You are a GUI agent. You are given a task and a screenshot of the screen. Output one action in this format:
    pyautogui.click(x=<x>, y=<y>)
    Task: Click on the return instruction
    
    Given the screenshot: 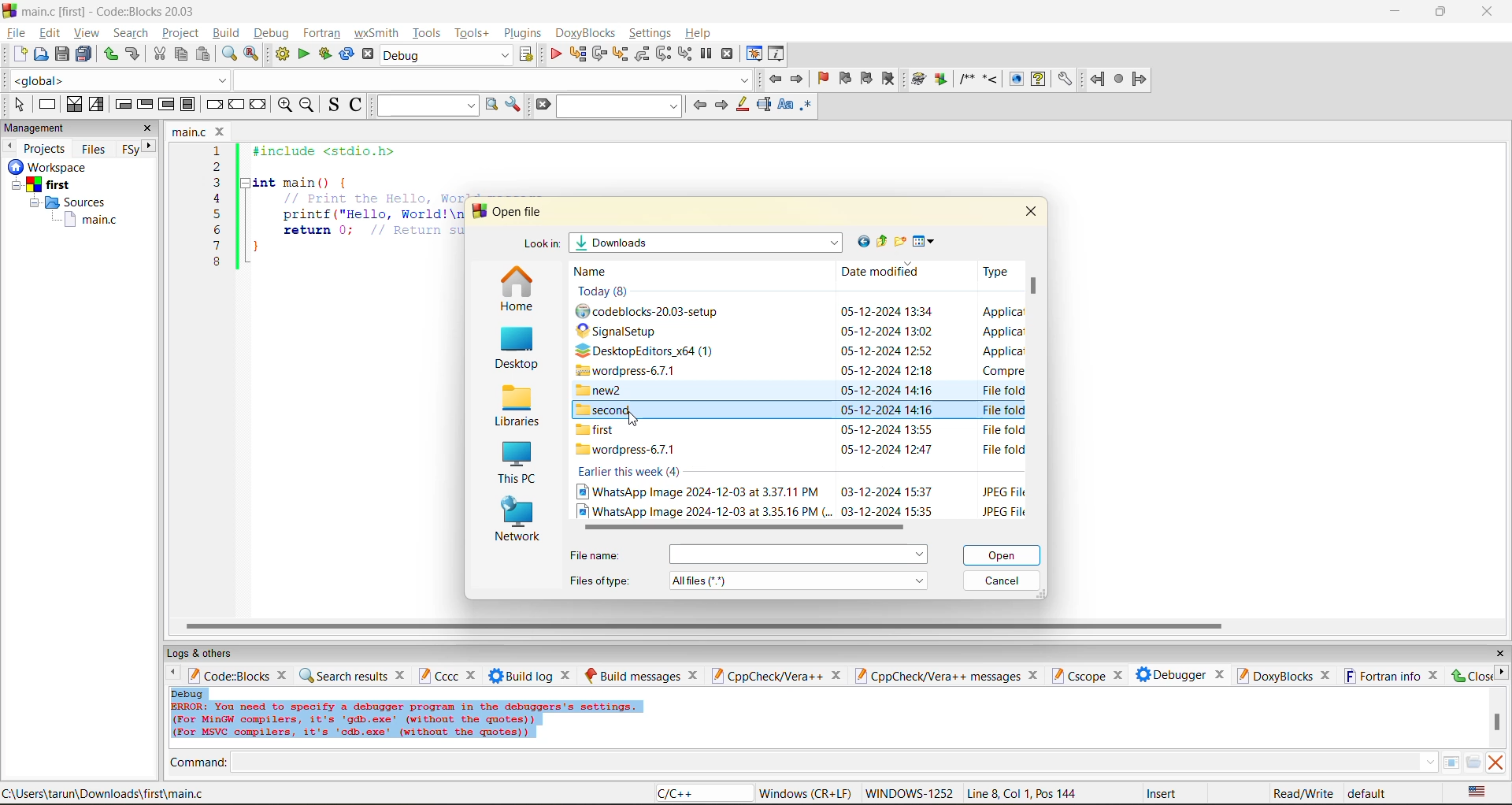 What is the action you would take?
    pyautogui.click(x=259, y=106)
    